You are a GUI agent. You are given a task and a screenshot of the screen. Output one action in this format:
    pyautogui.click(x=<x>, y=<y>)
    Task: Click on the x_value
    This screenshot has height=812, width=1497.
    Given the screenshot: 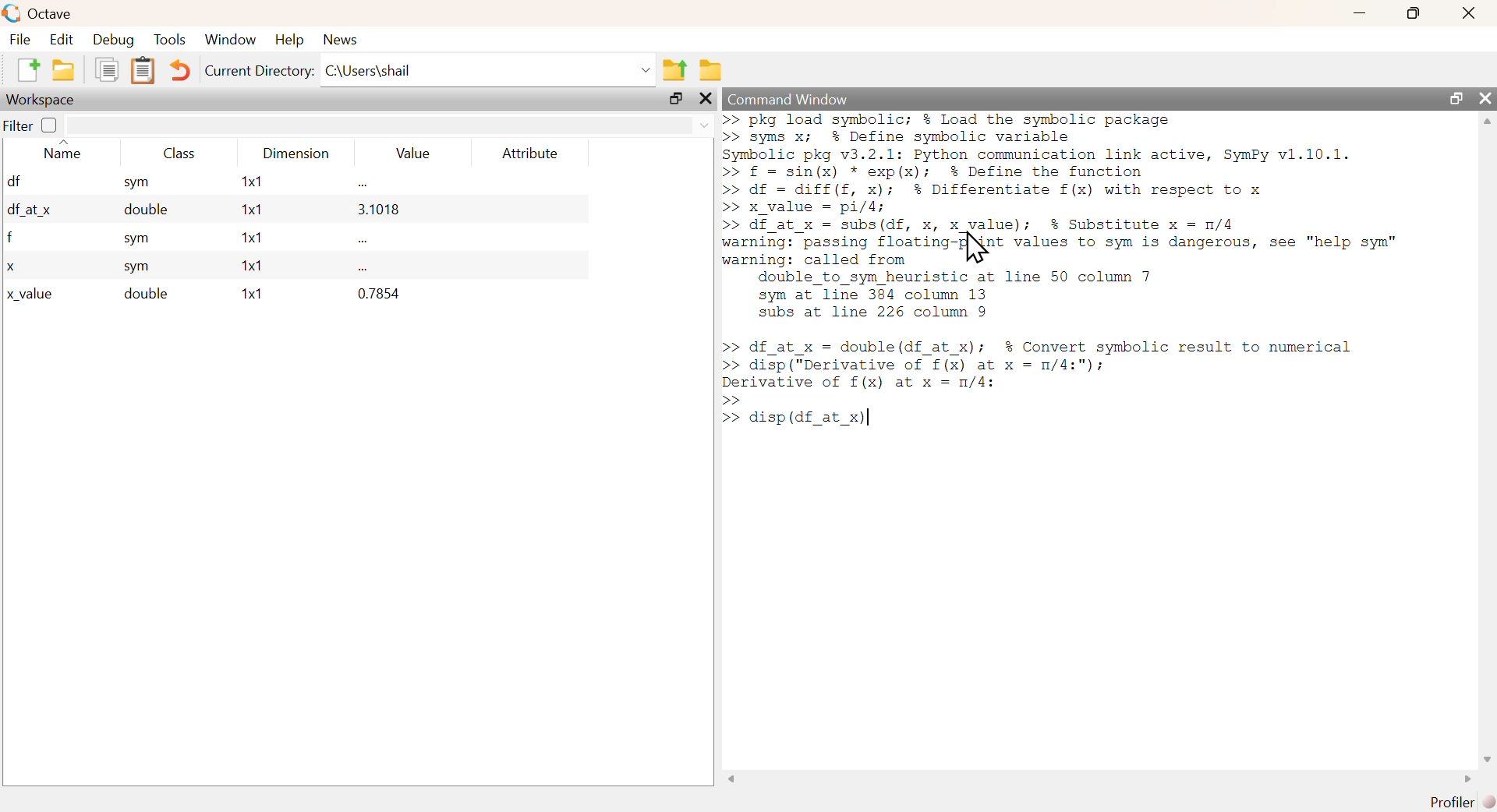 What is the action you would take?
    pyautogui.click(x=31, y=295)
    